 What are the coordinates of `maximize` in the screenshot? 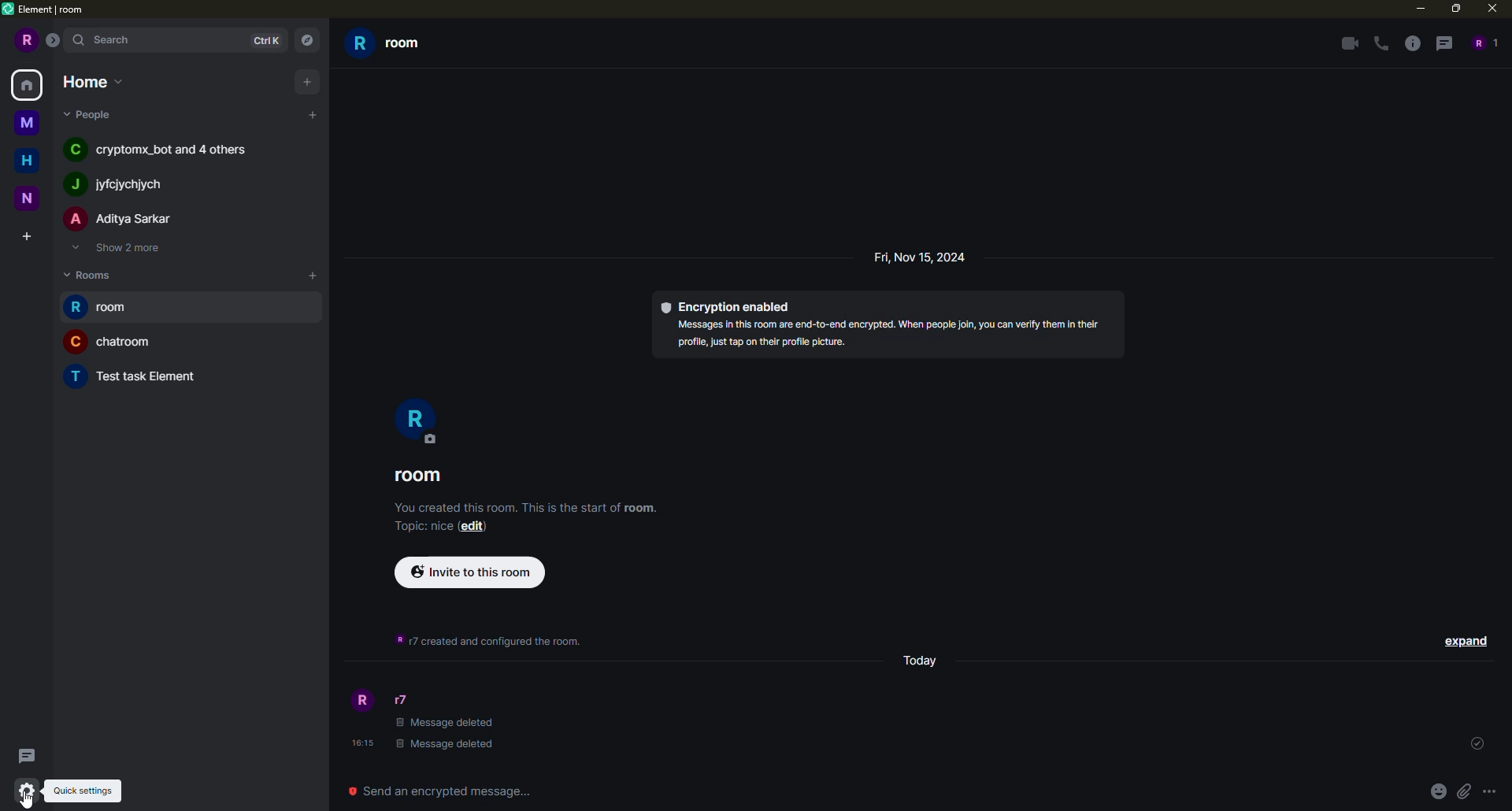 It's located at (1457, 9).